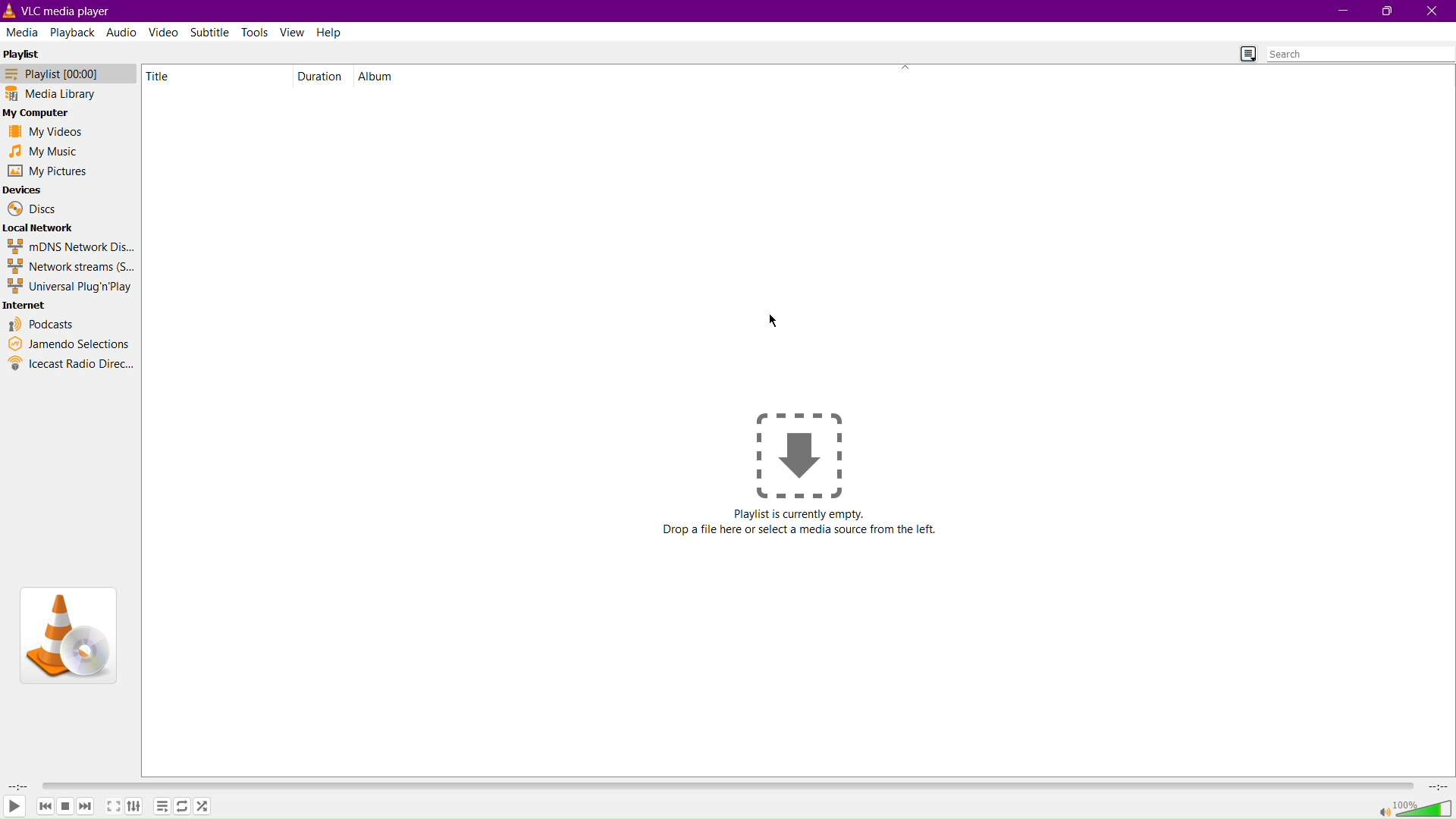 The image size is (1456, 819). I want to click on Random, so click(202, 806).